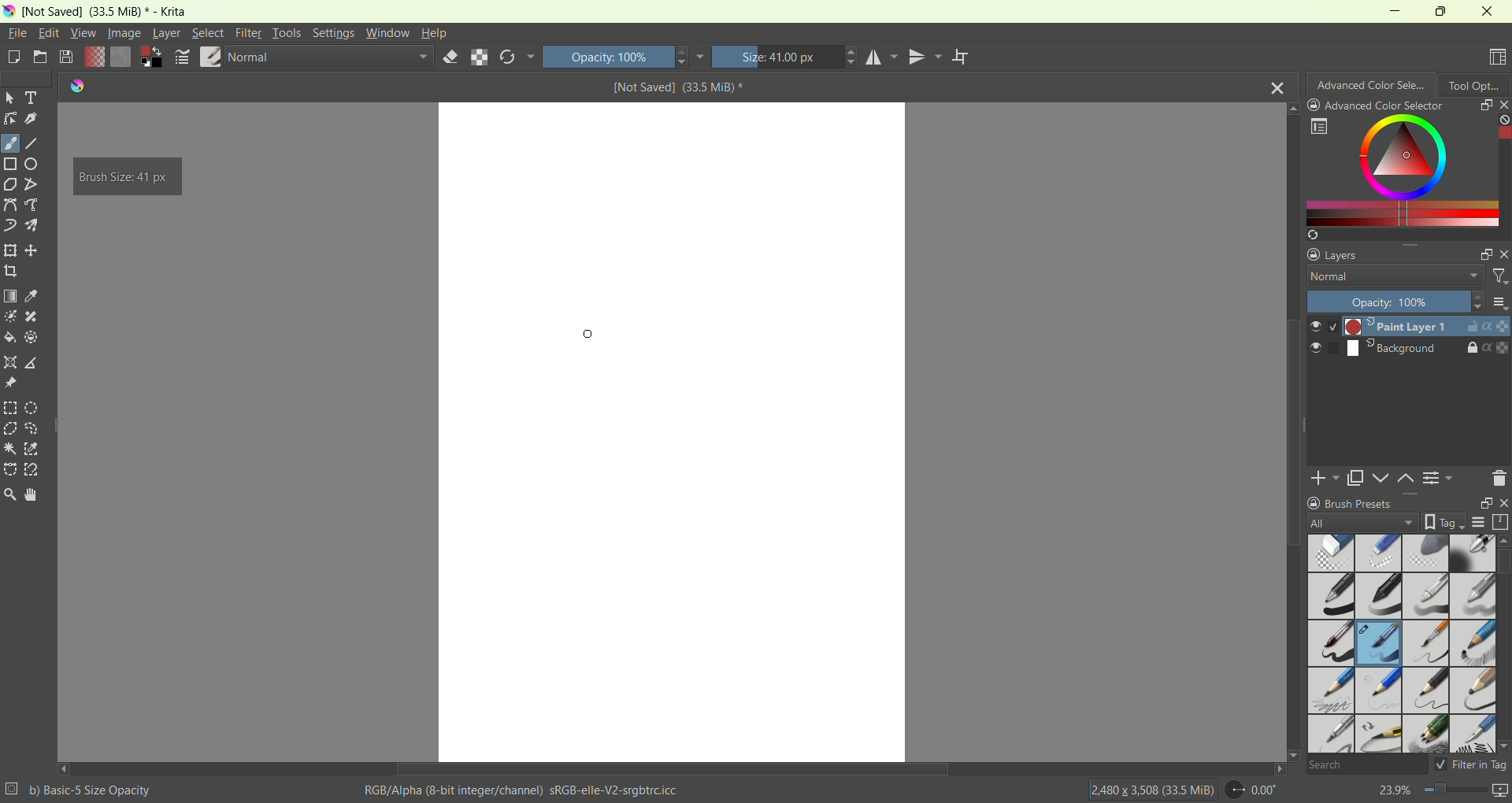 The height and width of the screenshot is (803, 1512). I want to click on vertical scroll bar, so click(1503, 643).